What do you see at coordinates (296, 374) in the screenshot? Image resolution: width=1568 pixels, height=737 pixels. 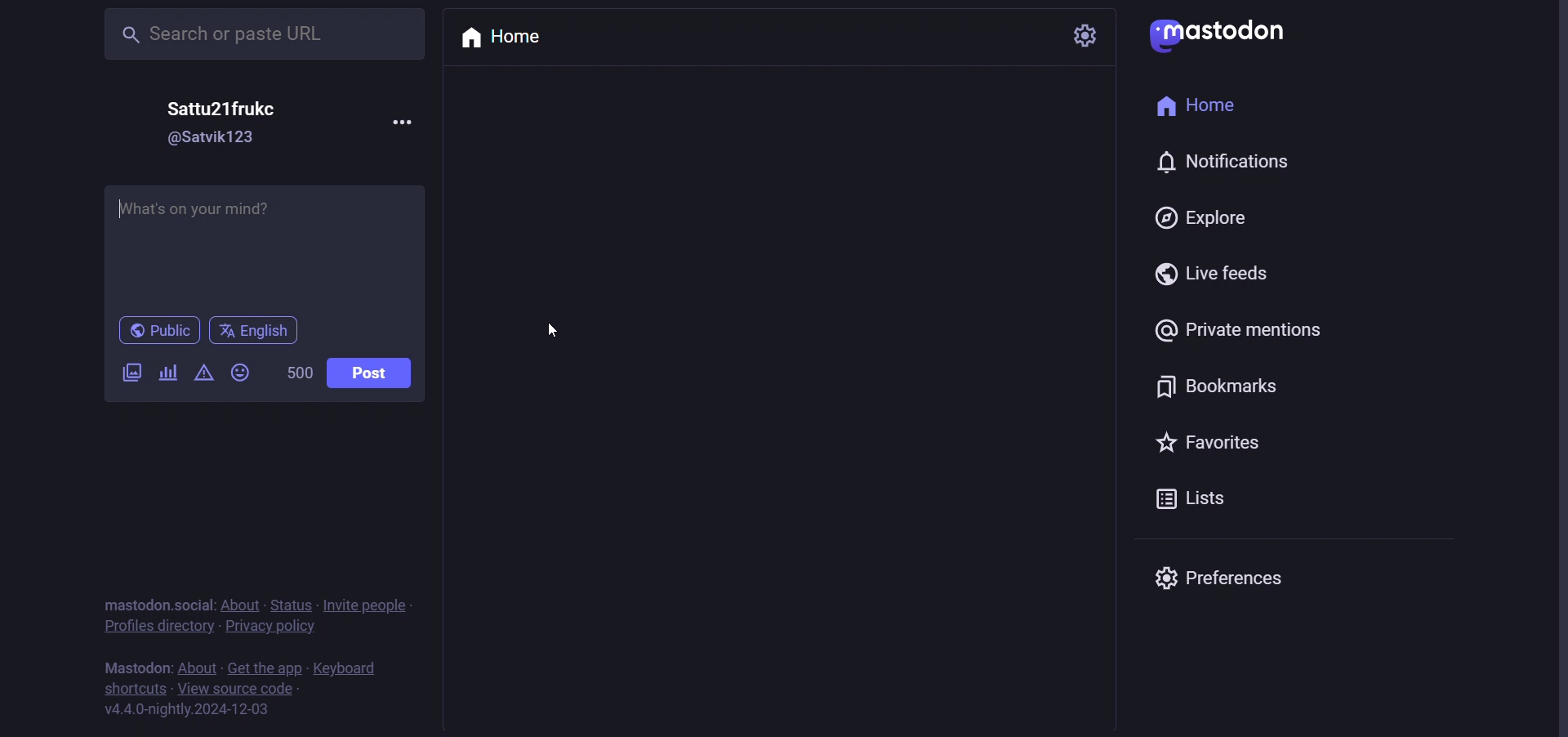 I see `word limit` at bounding box center [296, 374].